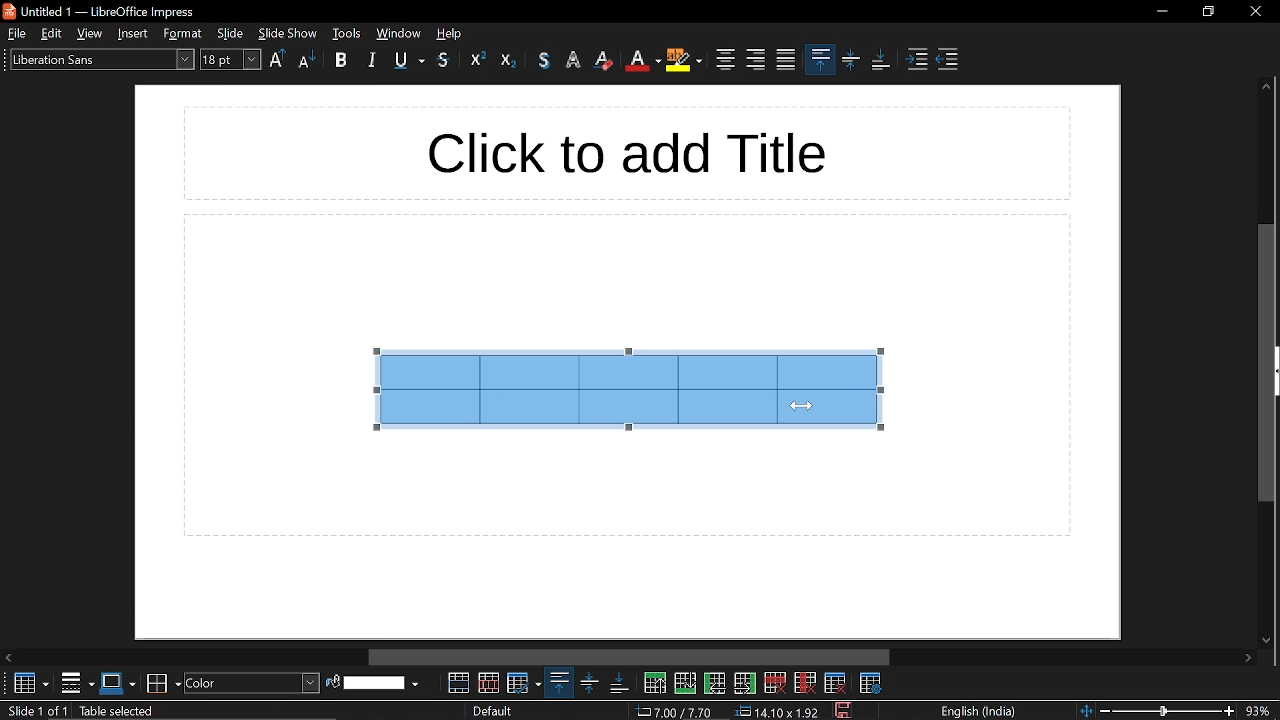 The image size is (1280, 720). What do you see at coordinates (919, 59) in the screenshot?
I see `increase indent` at bounding box center [919, 59].